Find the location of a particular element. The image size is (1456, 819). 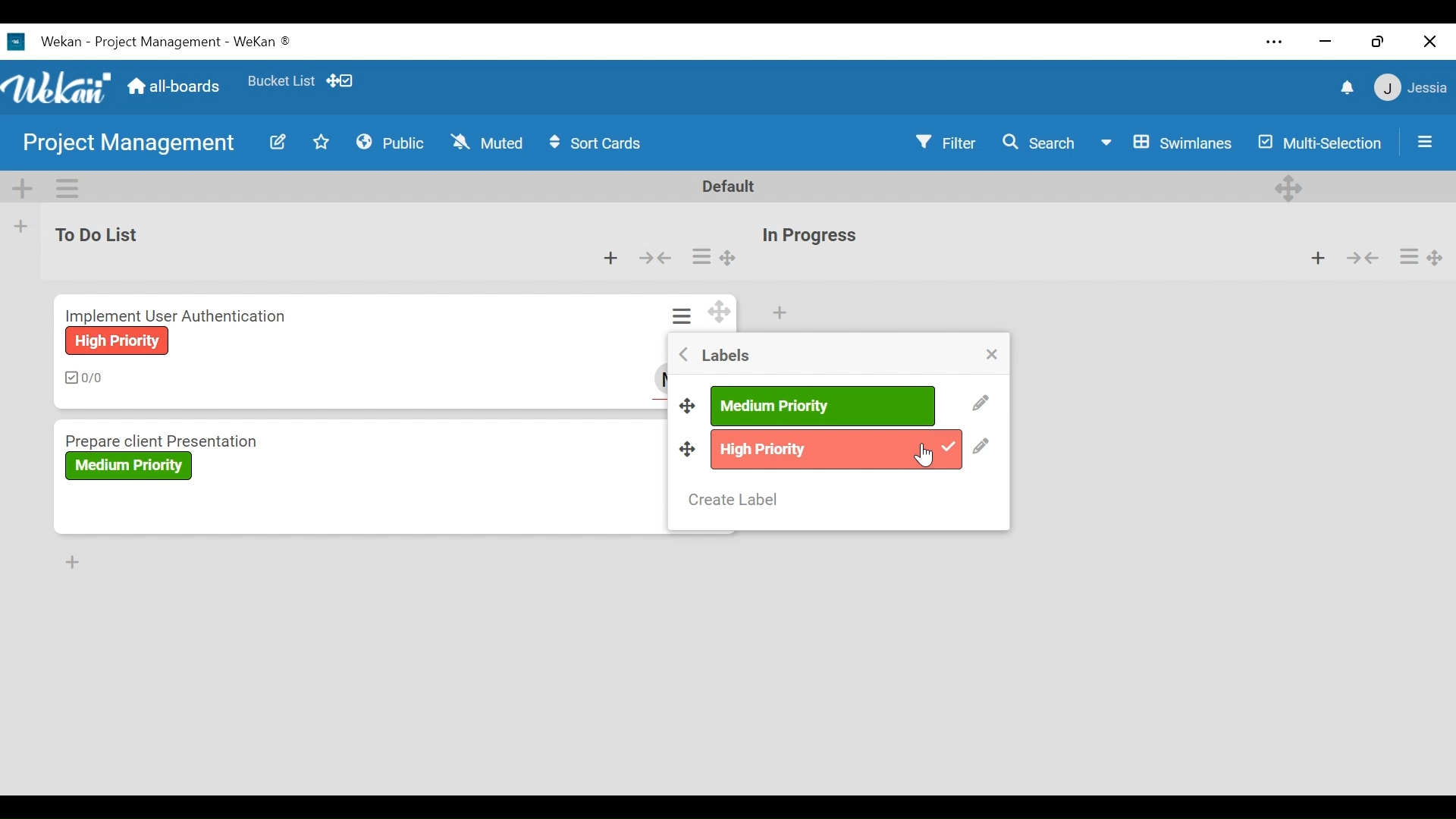

Label is located at coordinates (124, 466).